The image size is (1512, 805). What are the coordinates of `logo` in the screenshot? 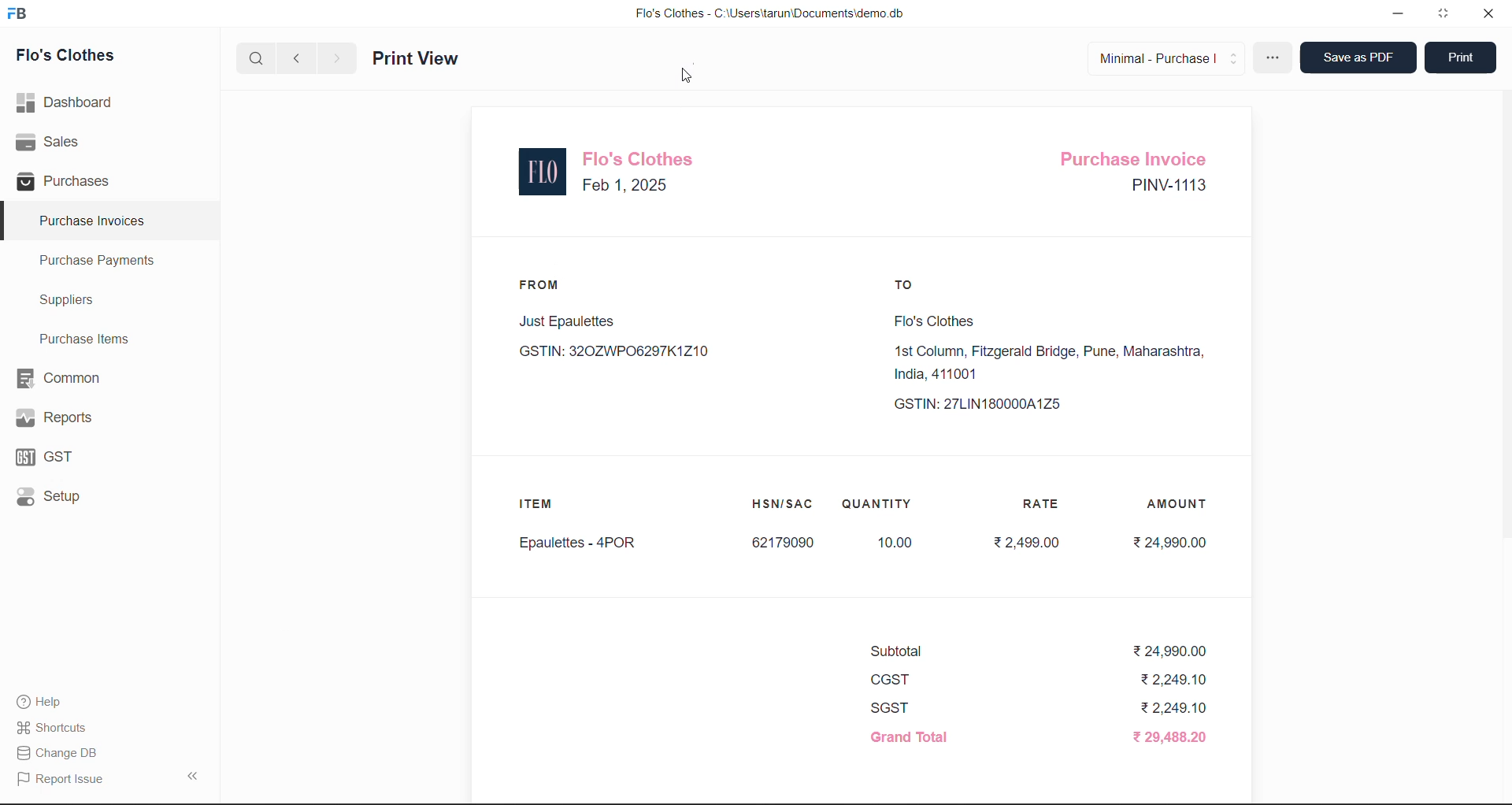 It's located at (543, 170).